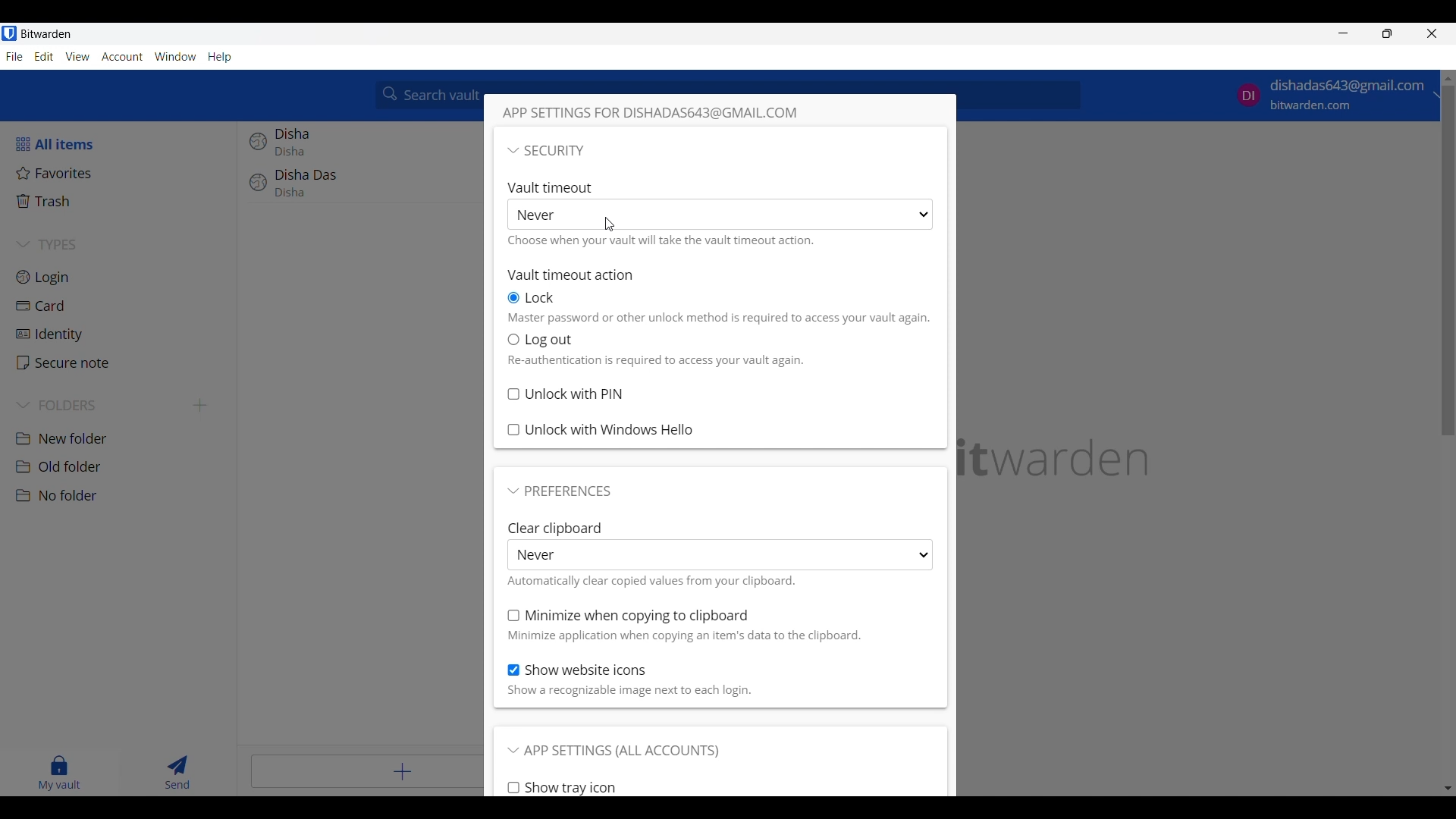  I want to click on Add item, so click(367, 771).